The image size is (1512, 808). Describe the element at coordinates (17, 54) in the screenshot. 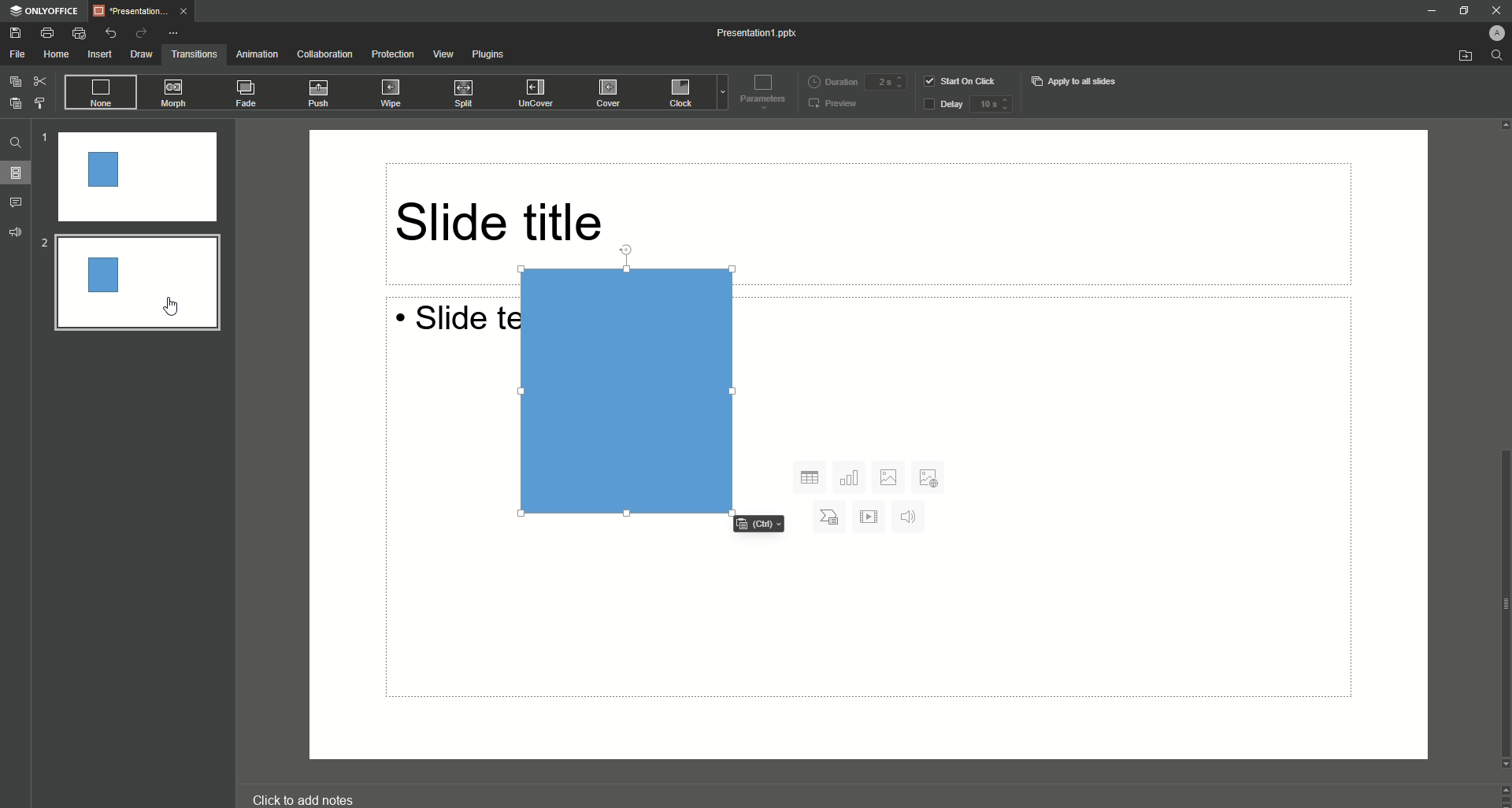

I see `File` at that location.